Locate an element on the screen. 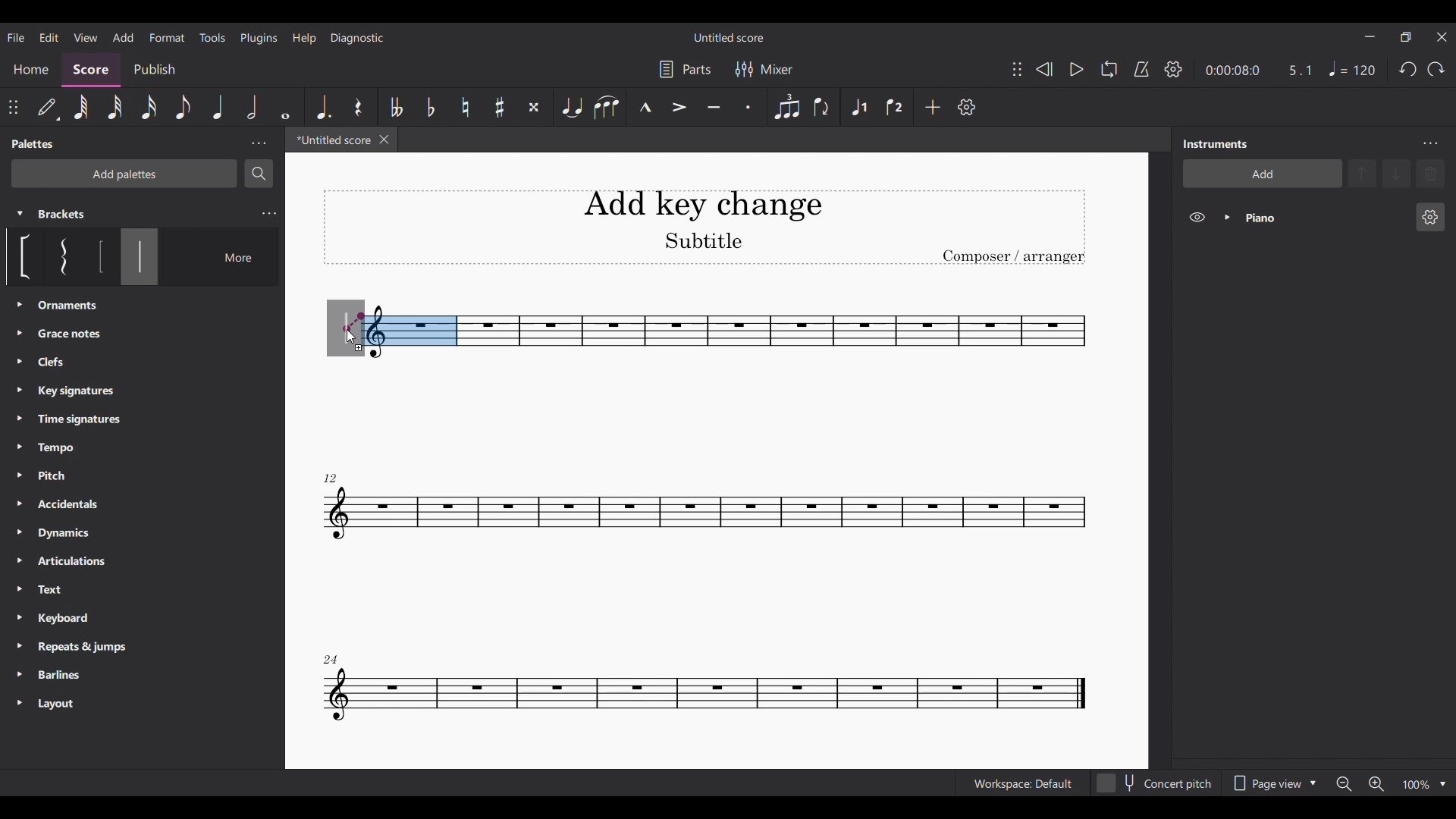  Help menu is located at coordinates (303, 39).